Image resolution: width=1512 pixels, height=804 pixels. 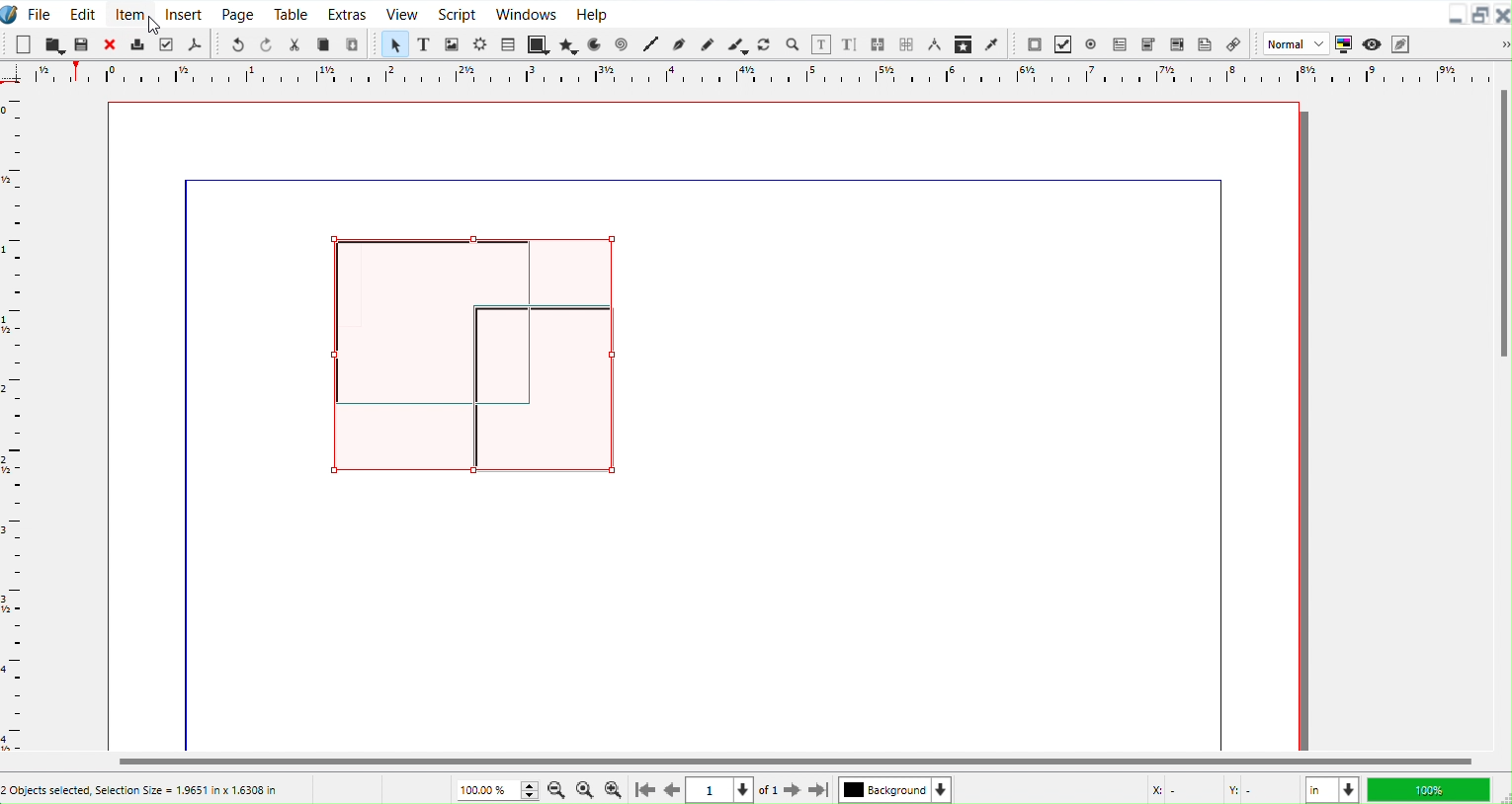 I want to click on Arc, so click(x=597, y=43).